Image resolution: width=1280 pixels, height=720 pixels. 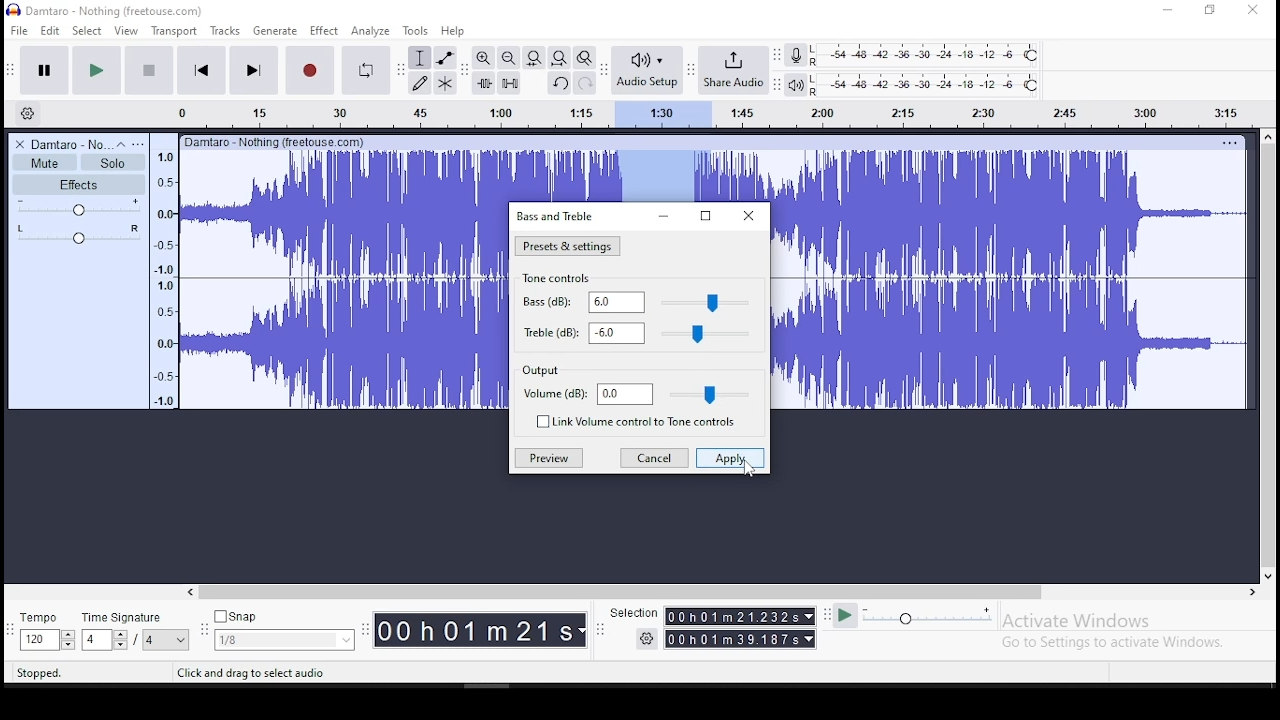 What do you see at coordinates (1210, 10) in the screenshot?
I see `Maximize` at bounding box center [1210, 10].